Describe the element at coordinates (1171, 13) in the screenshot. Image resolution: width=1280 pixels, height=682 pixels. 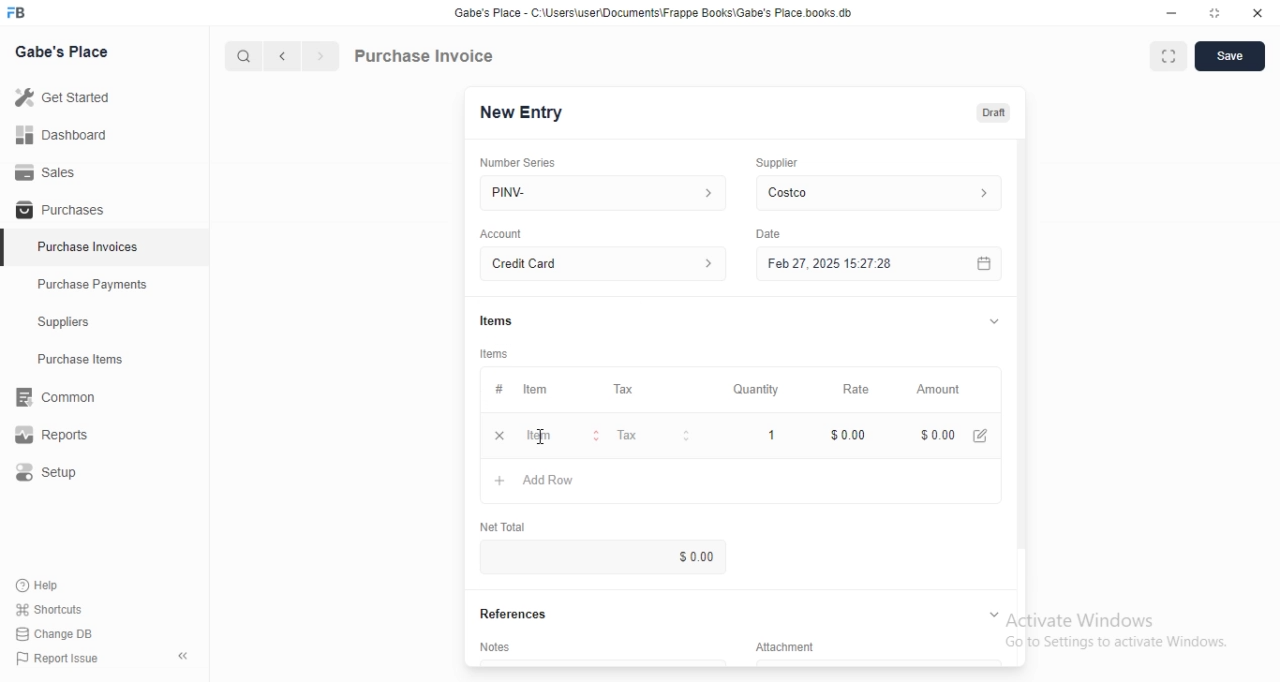
I see `Minimize` at that location.